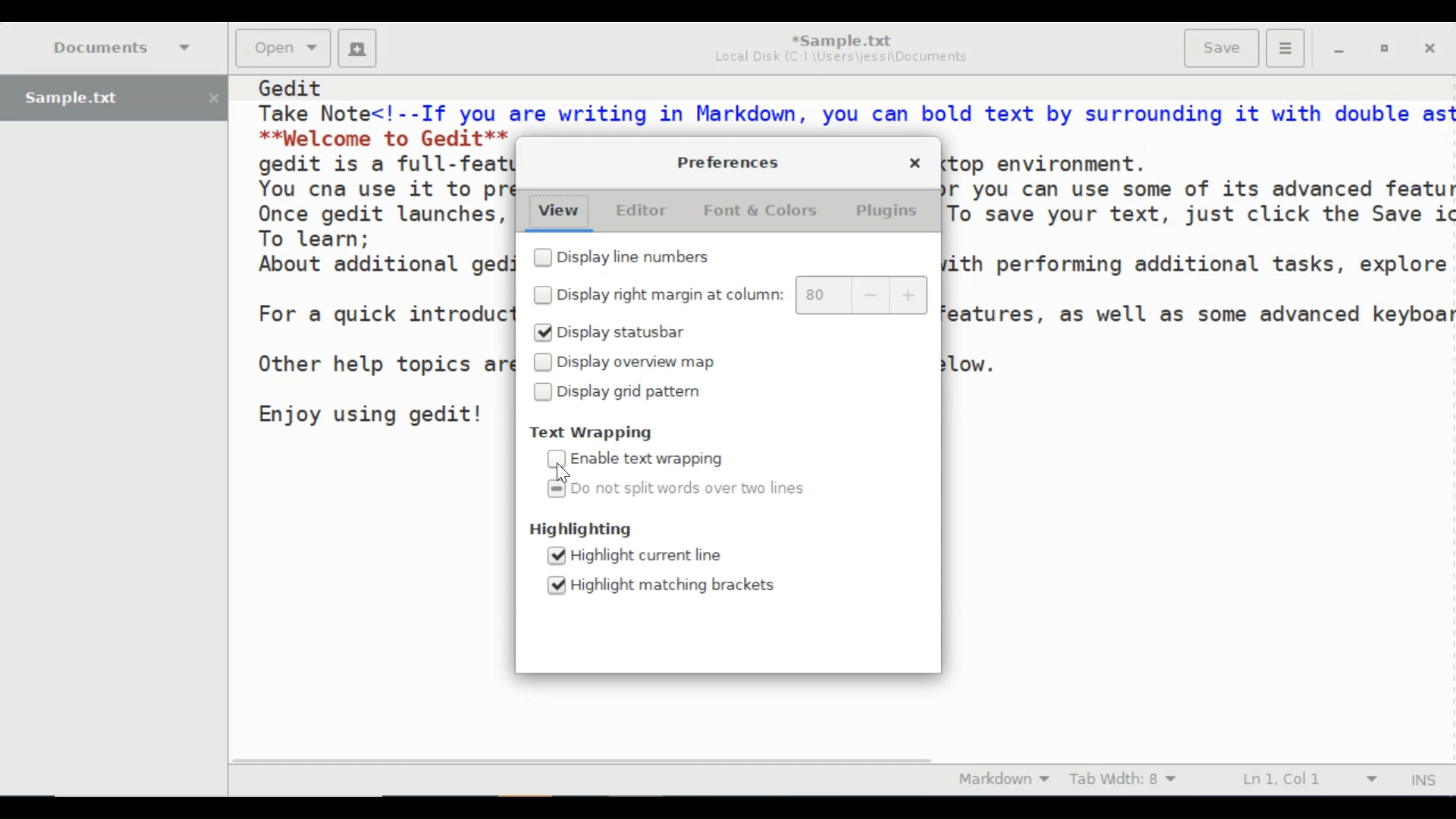 The height and width of the screenshot is (819, 1456). What do you see at coordinates (618, 394) in the screenshot?
I see `(un)select Display grid pattern` at bounding box center [618, 394].